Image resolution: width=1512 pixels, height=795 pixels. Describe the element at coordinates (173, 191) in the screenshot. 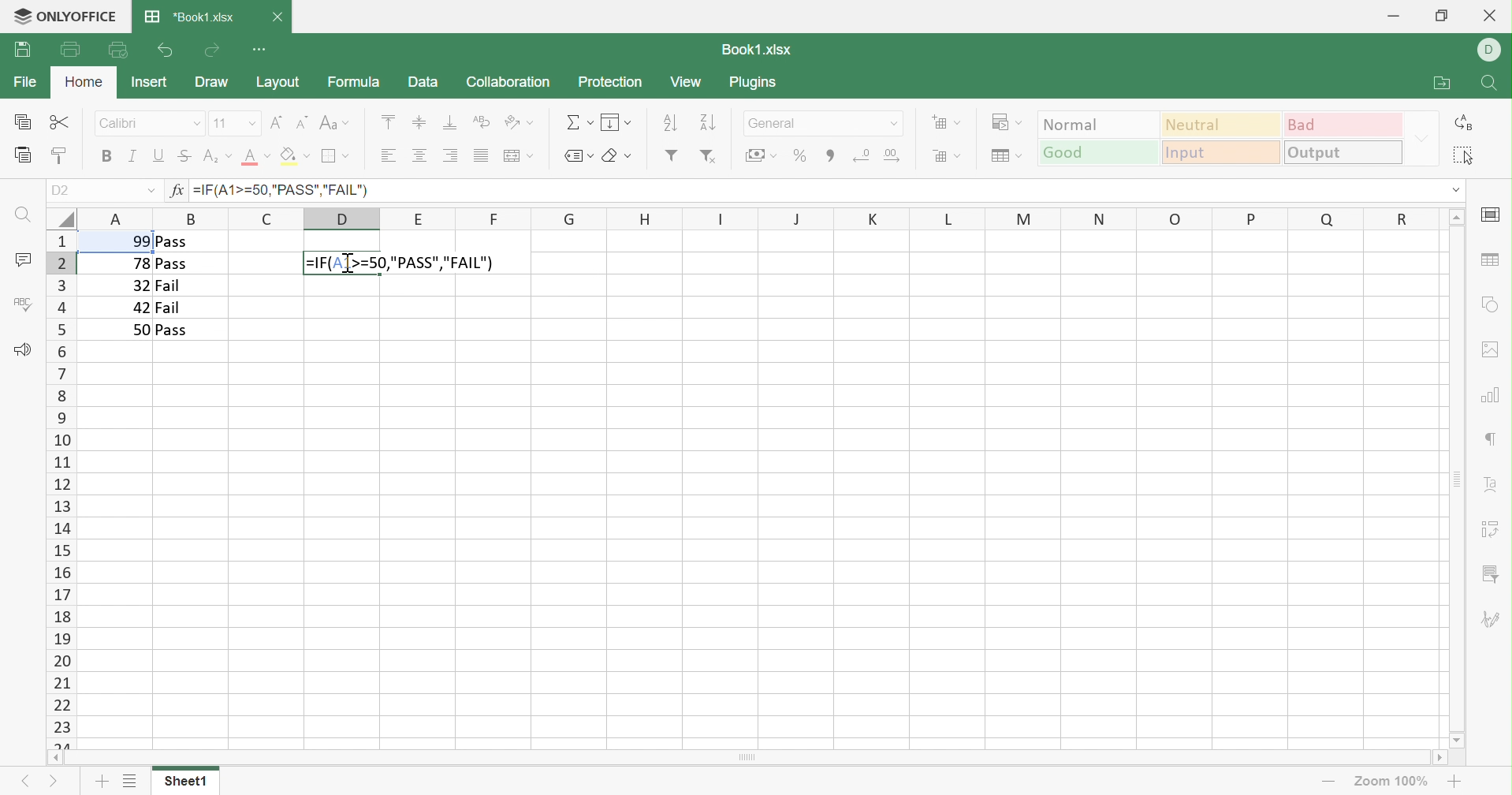

I see `fx` at that location.